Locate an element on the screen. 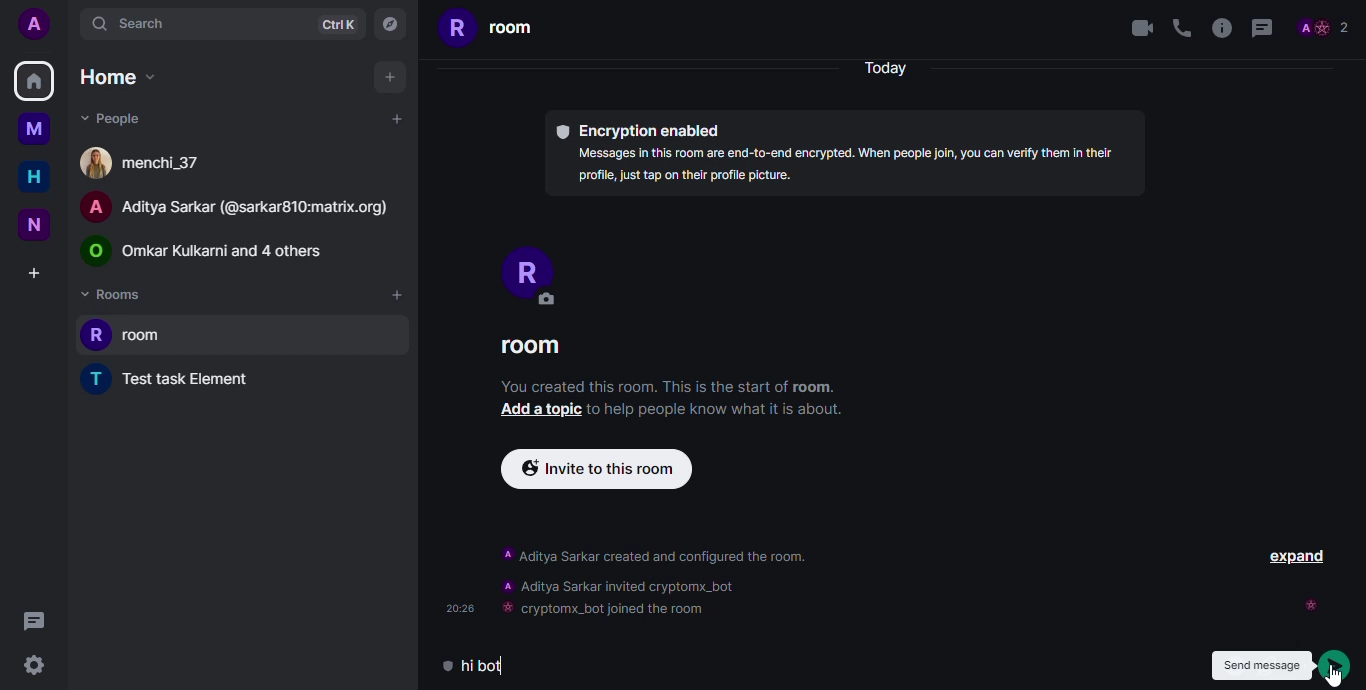 The width and height of the screenshot is (1366, 690). seen is located at coordinates (1311, 605).